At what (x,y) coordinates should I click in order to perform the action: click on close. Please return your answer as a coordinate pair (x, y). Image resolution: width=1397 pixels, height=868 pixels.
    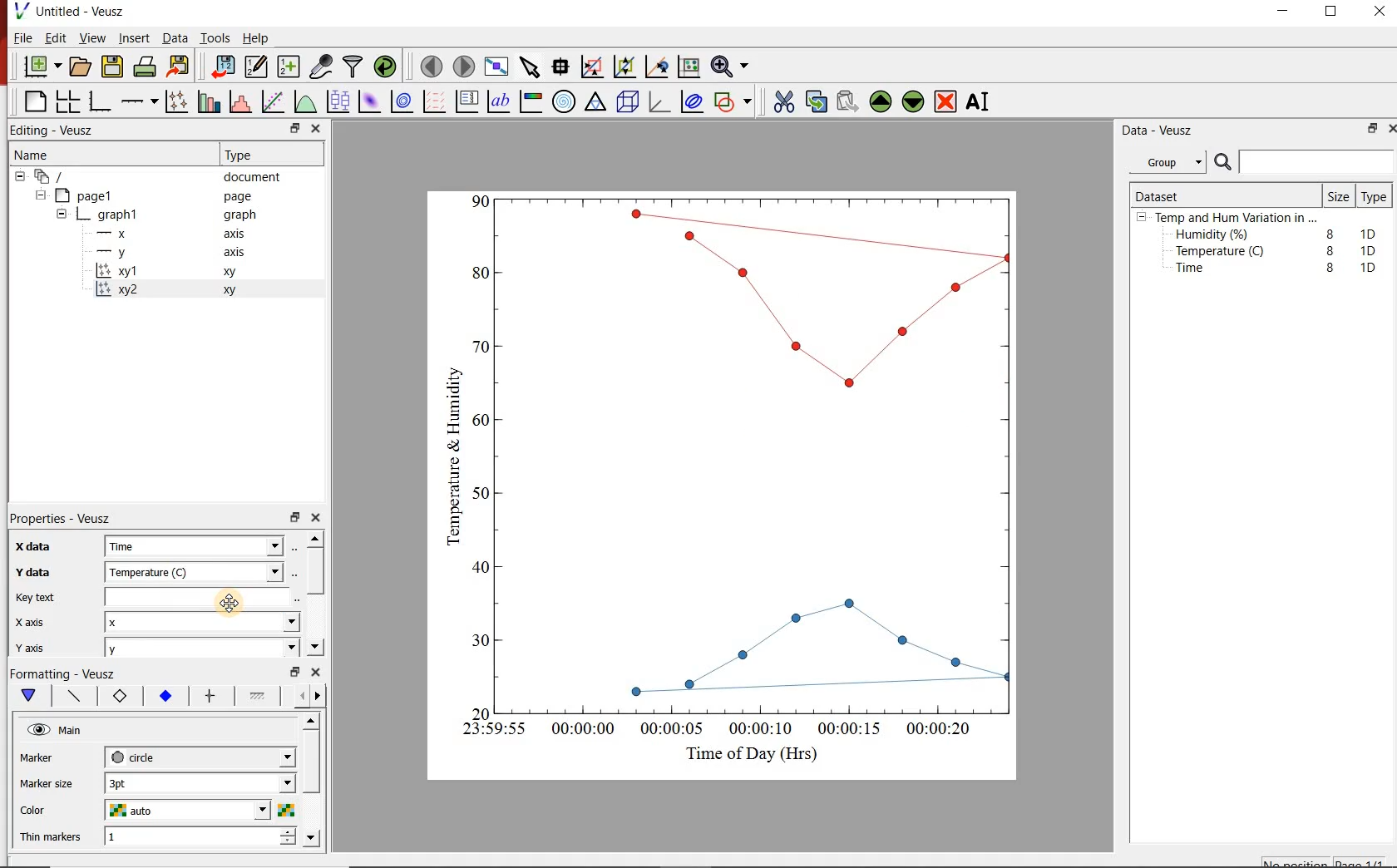
    Looking at the image, I should click on (1380, 12).